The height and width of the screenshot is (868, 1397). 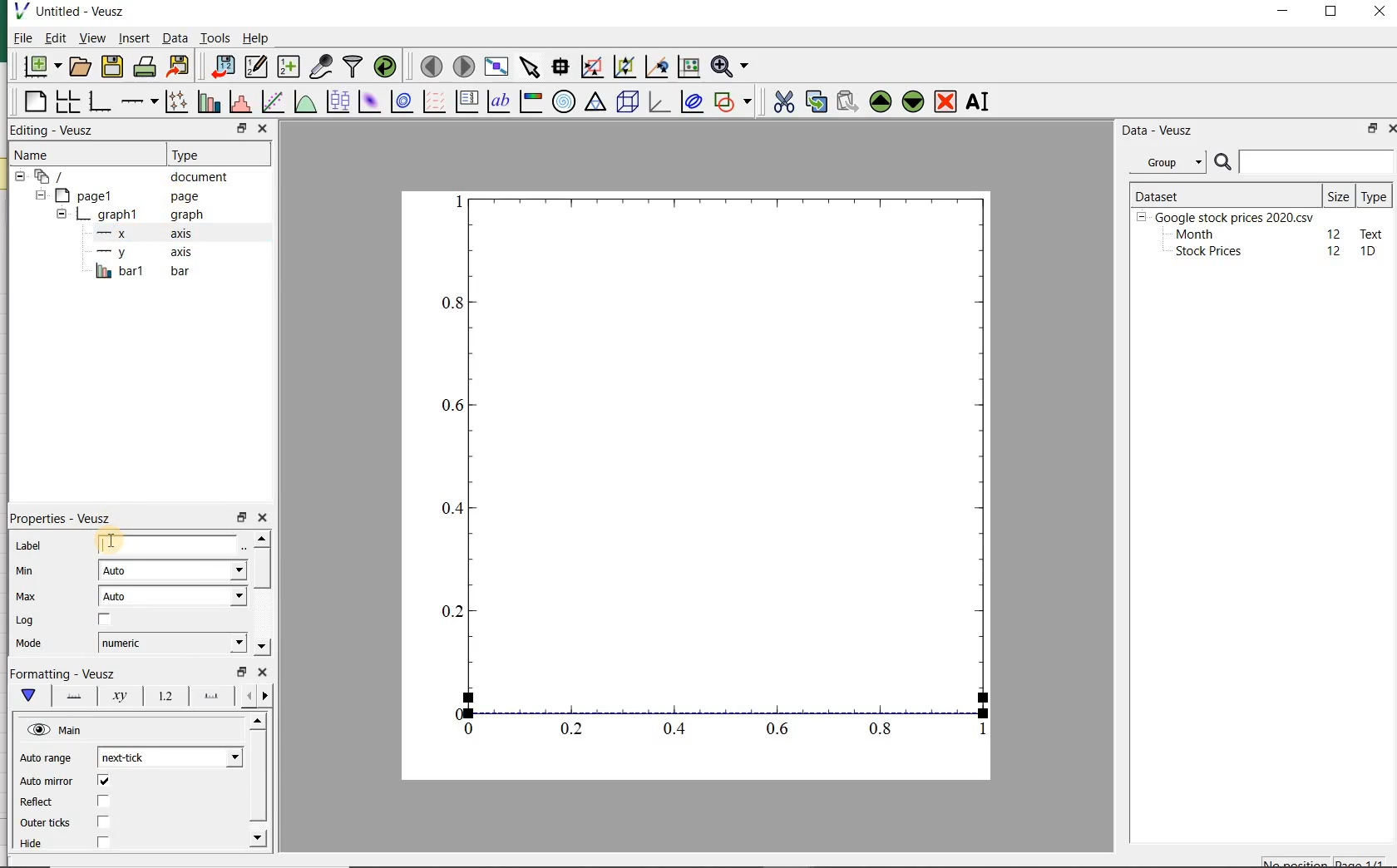 What do you see at coordinates (1193, 234) in the screenshot?
I see `Month` at bounding box center [1193, 234].